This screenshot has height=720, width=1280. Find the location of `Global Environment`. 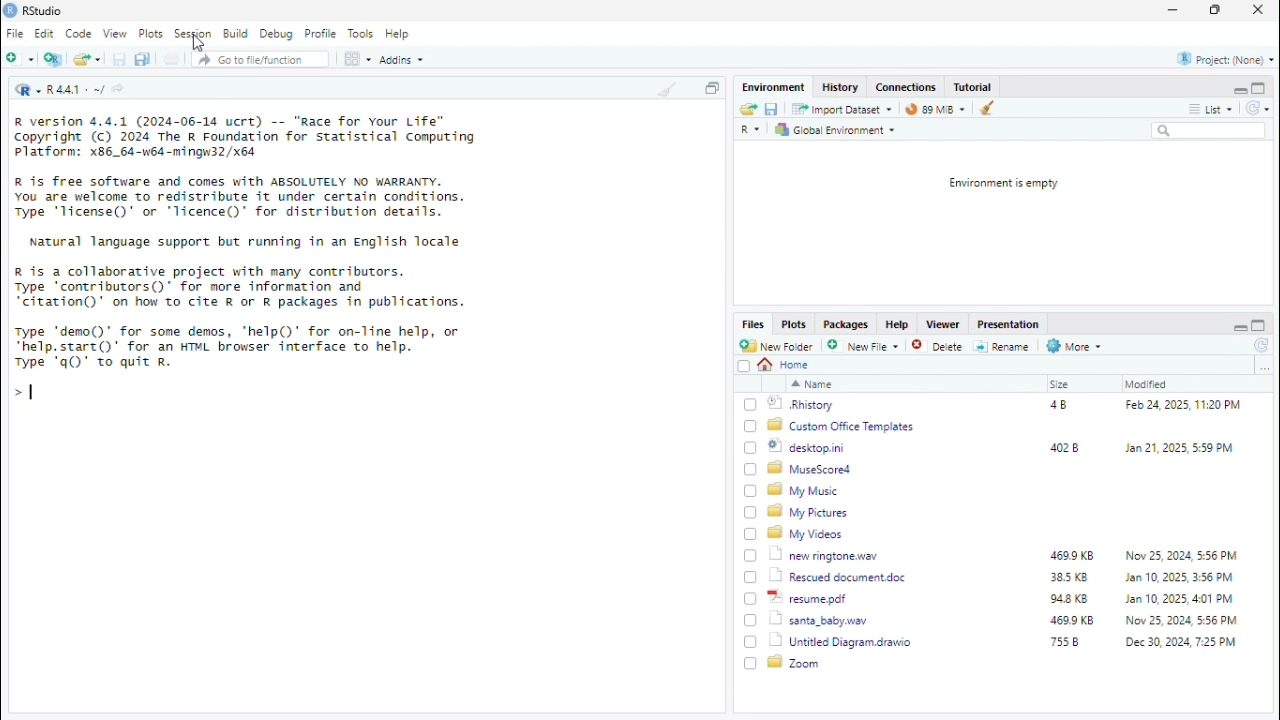

Global Environment is located at coordinates (836, 130).